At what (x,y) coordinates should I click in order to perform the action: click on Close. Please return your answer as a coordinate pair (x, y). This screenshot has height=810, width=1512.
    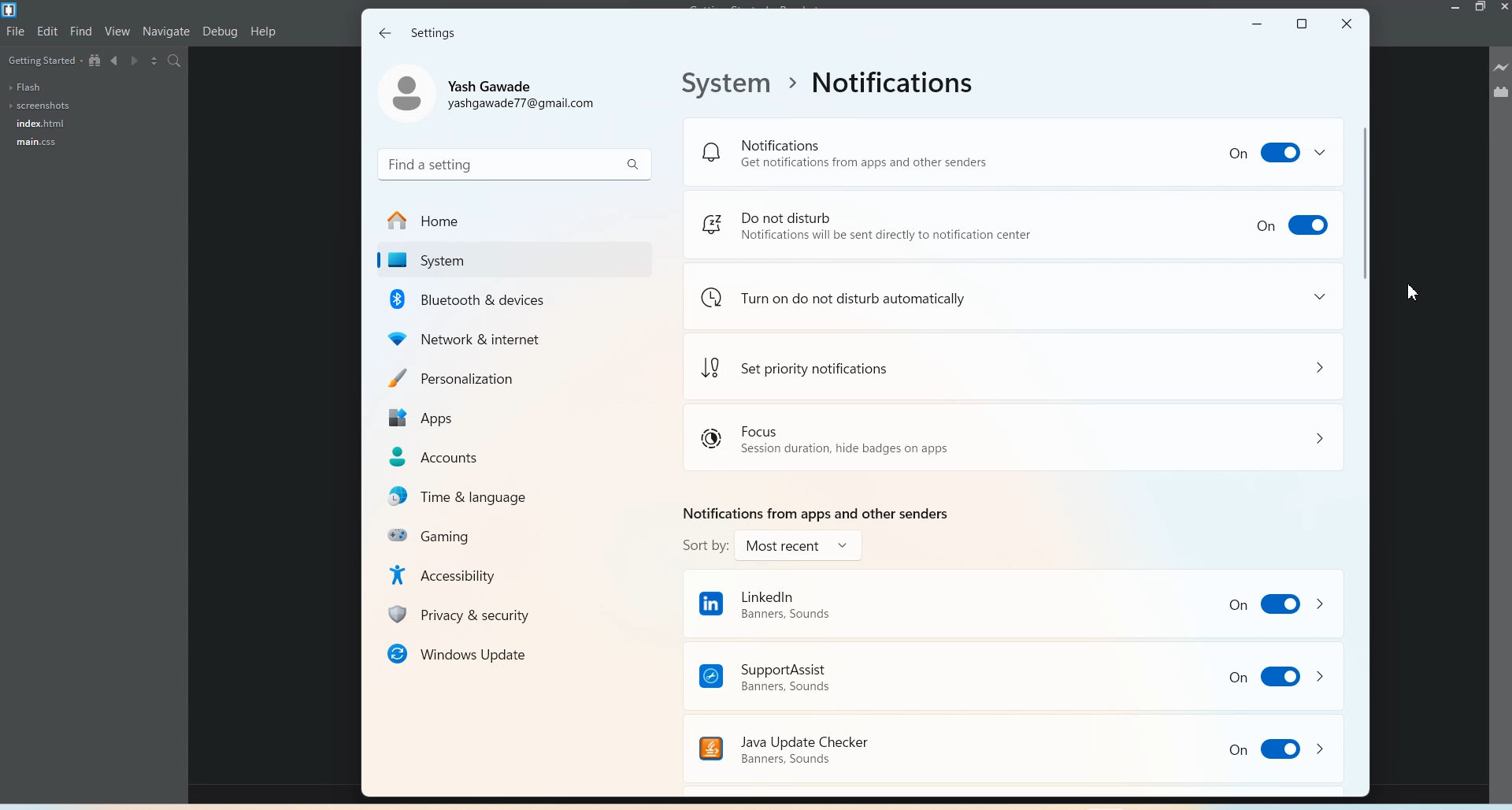
    Looking at the image, I should click on (1347, 22).